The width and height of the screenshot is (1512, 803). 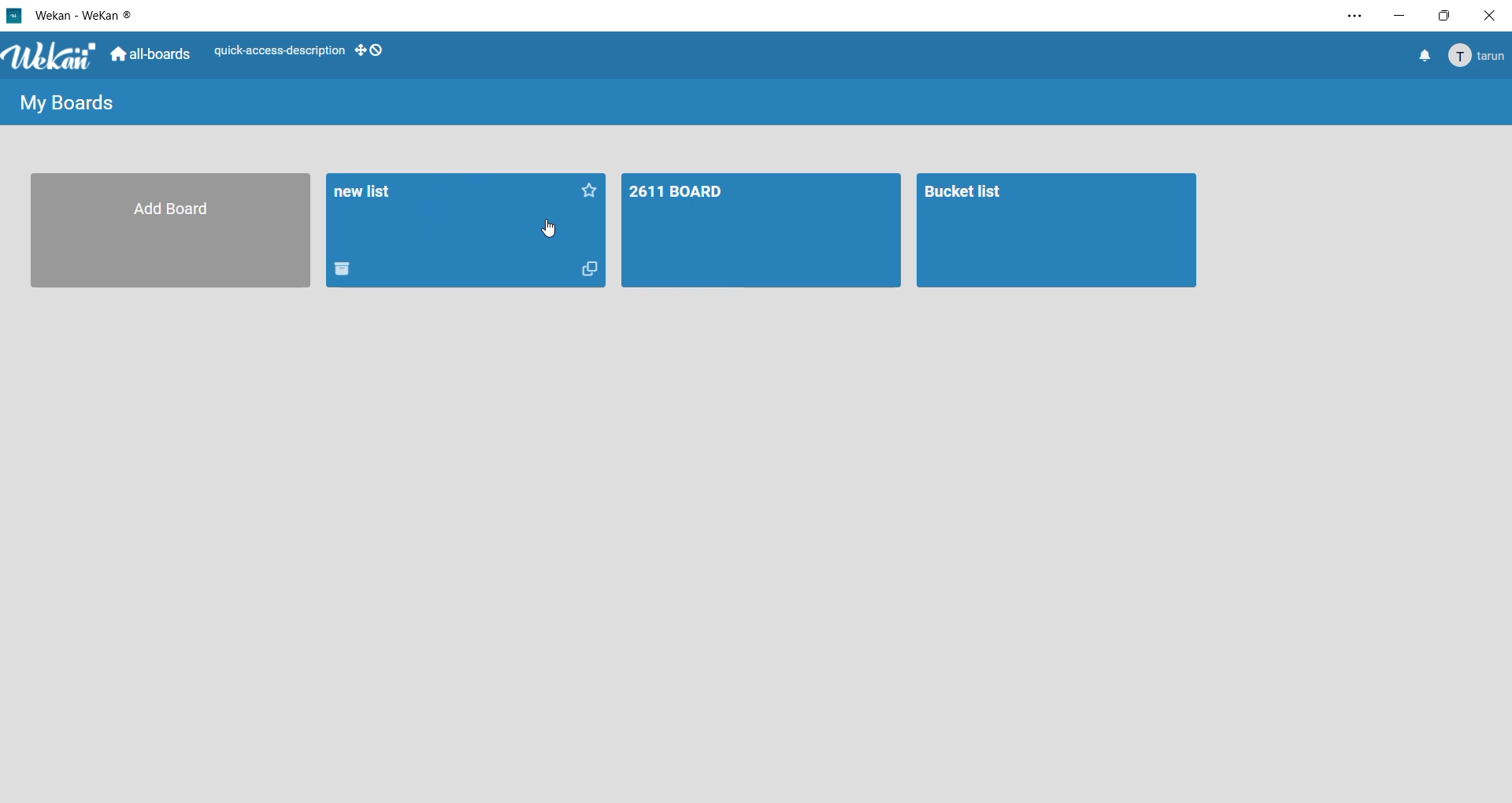 I want to click on close, so click(x=1488, y=16).